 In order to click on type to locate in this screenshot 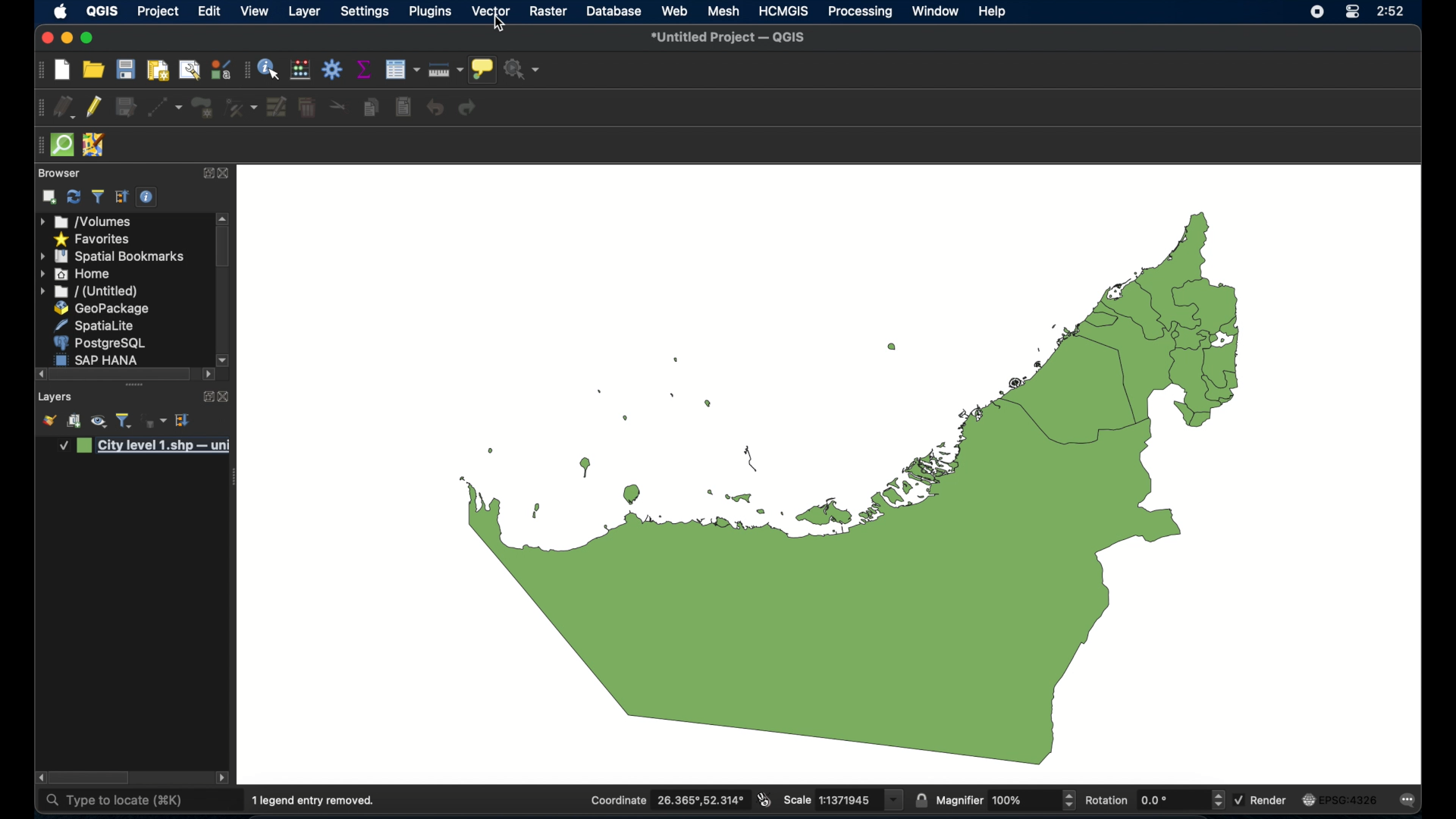, I will do `click(113, 801)`.